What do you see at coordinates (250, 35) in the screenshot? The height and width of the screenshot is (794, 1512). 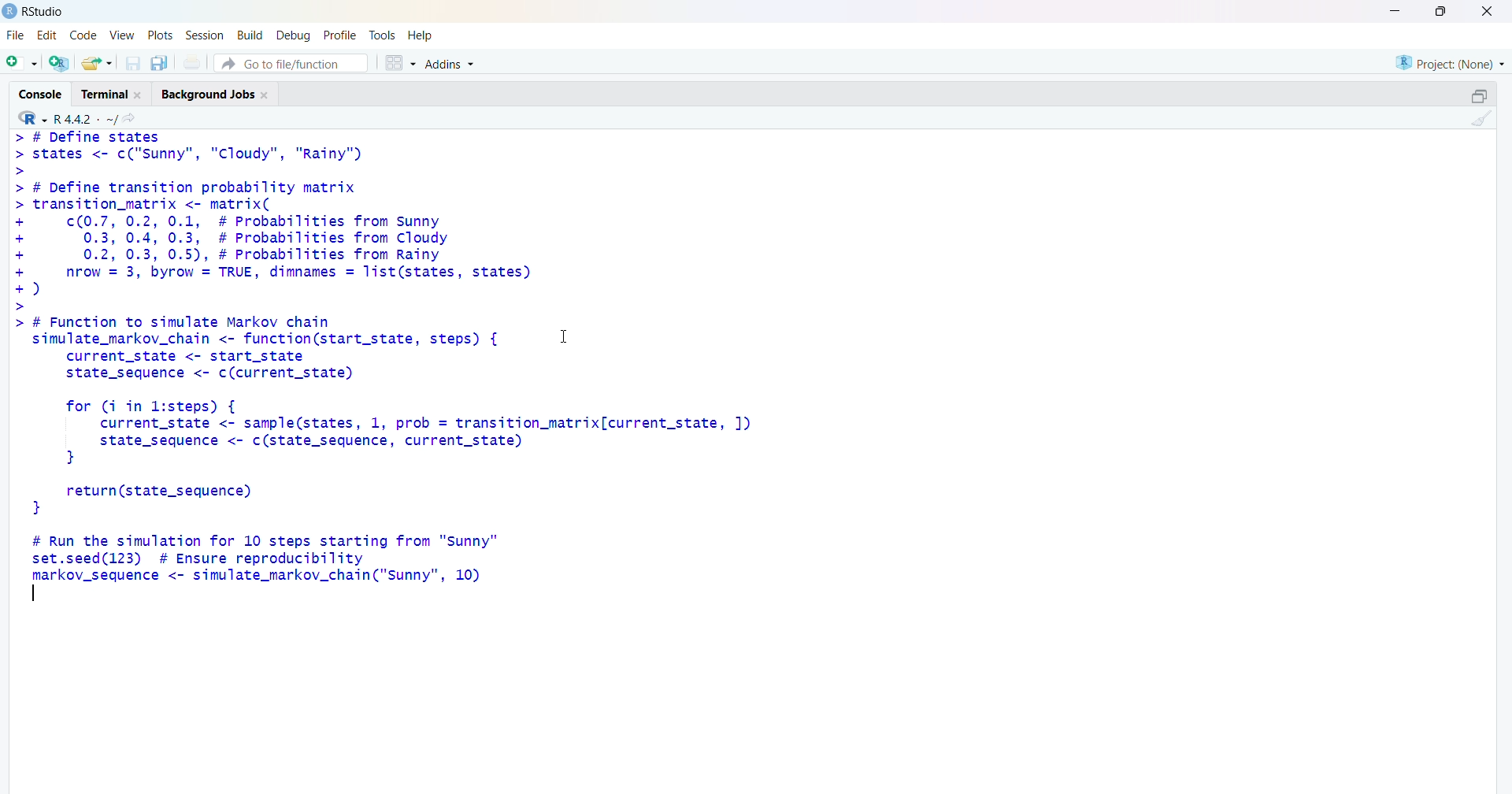 I see `build` at bounding box center [250, 35].